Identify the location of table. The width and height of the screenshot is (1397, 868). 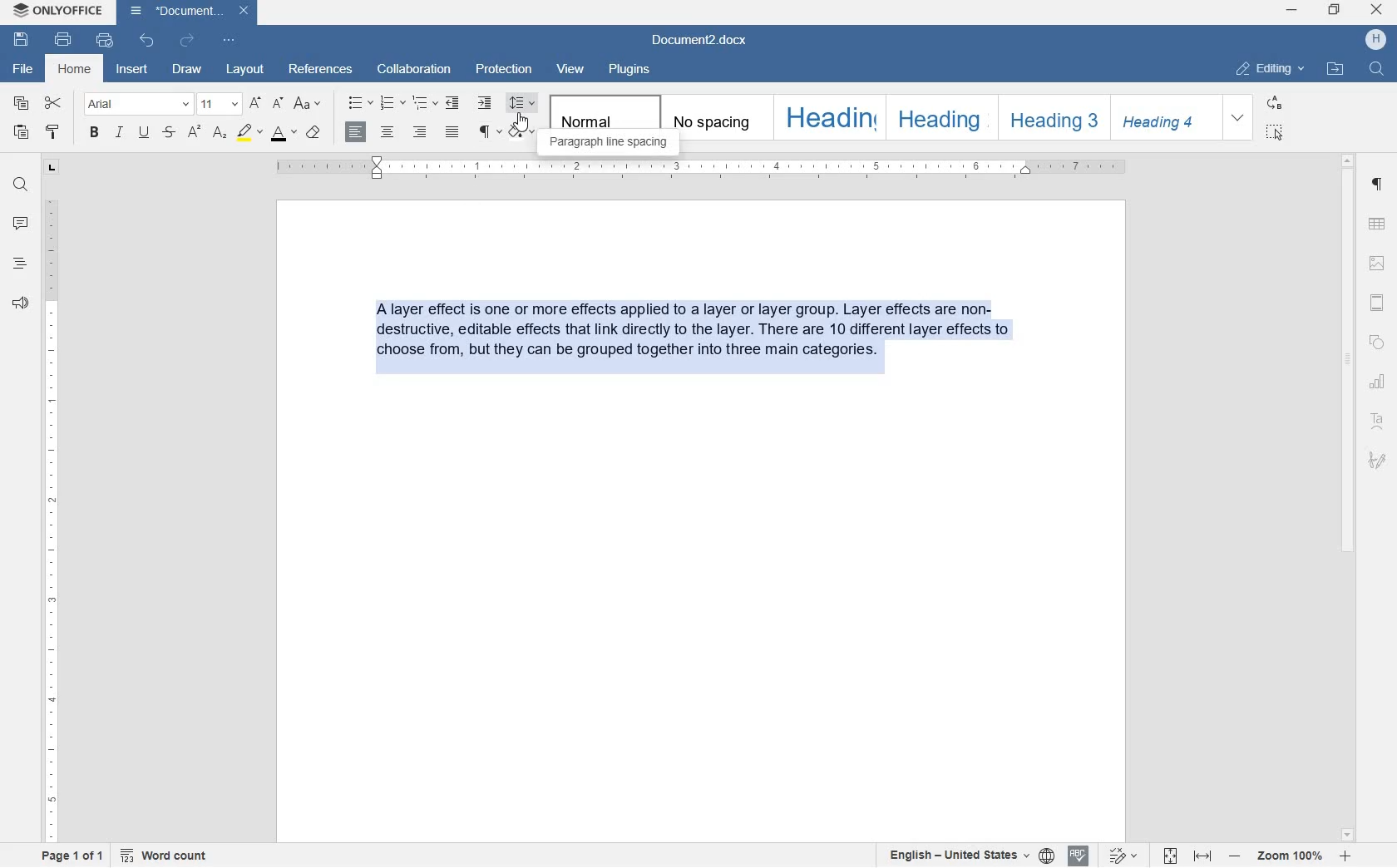
(1378, 224).